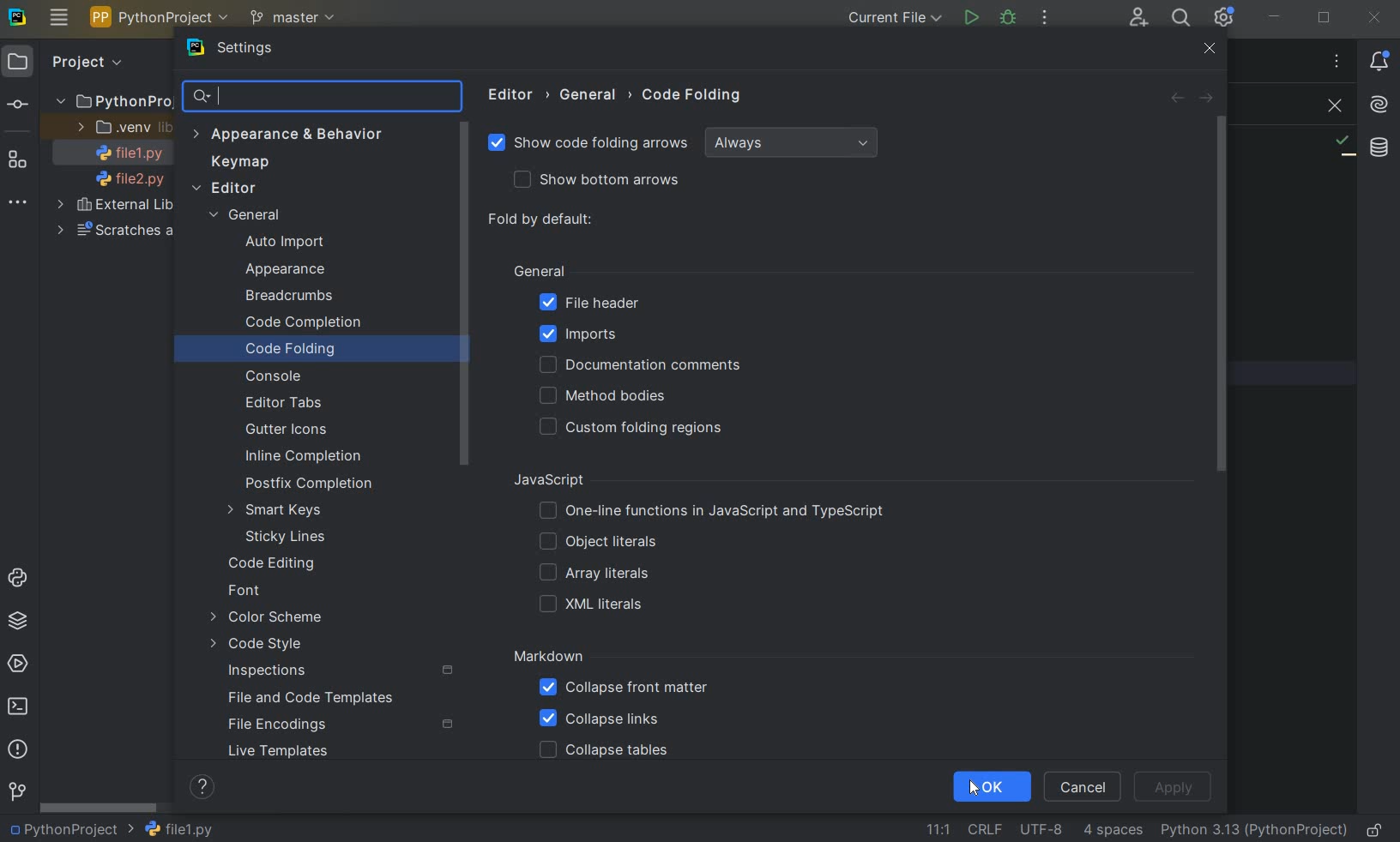  What do you see at coordinates (284, 243) in the screenshot?
I see `AUTO IMPORT` at bounding box center [284, 243].